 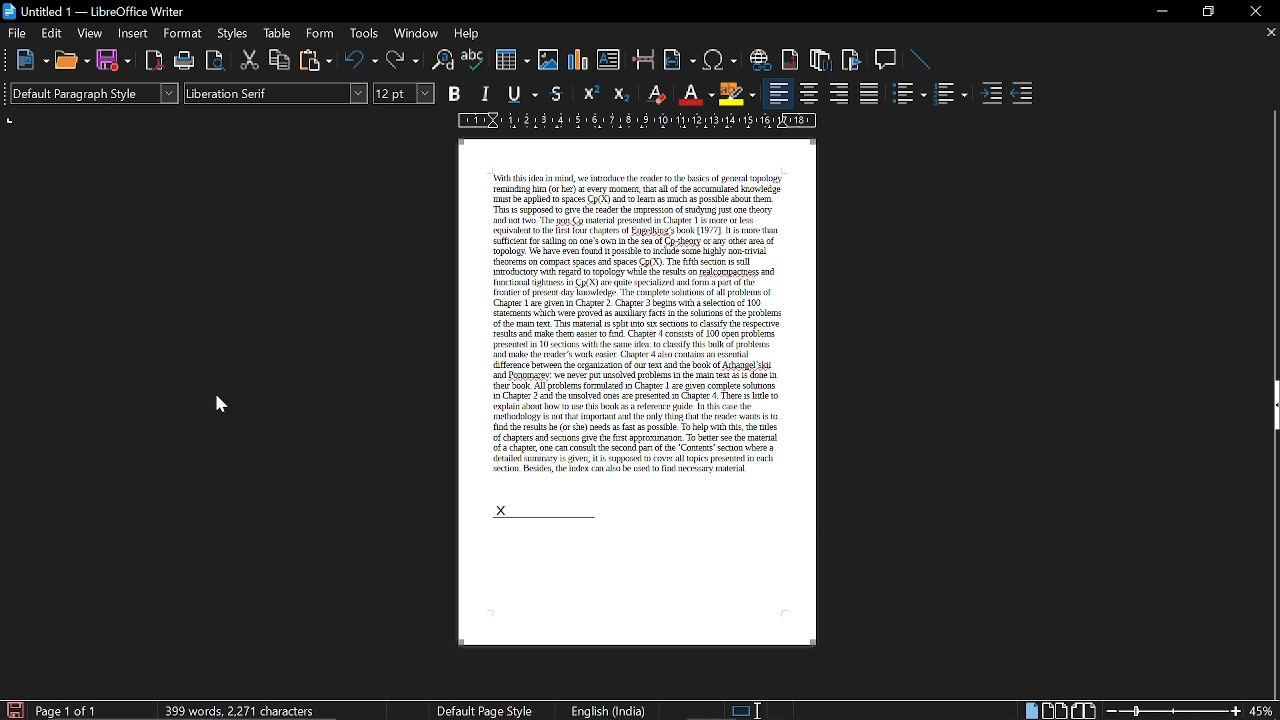 What do you see at coordinates (841, 94) in the screenshot?
I see `align right` at bounding box center [841, 94].